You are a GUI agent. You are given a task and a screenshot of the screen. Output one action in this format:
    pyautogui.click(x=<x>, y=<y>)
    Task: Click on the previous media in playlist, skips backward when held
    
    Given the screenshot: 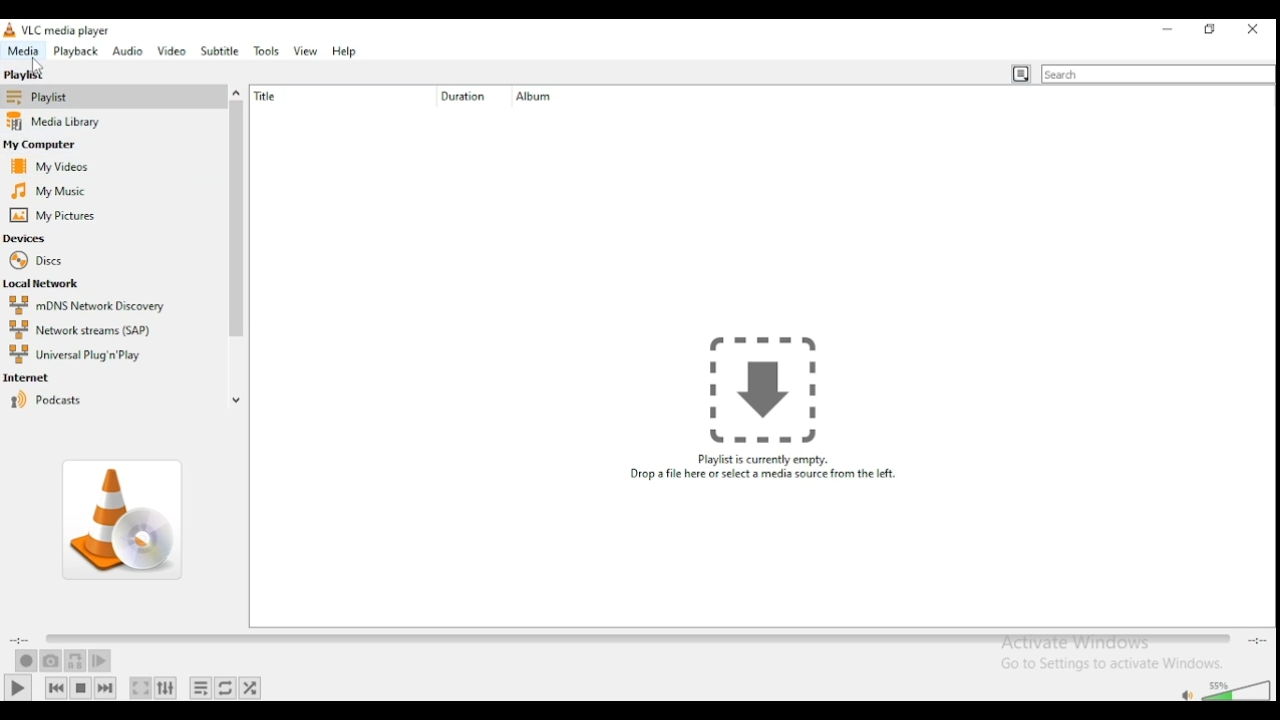 What is the action you would take?
    pyautogui.click(x=56, y=688)
    